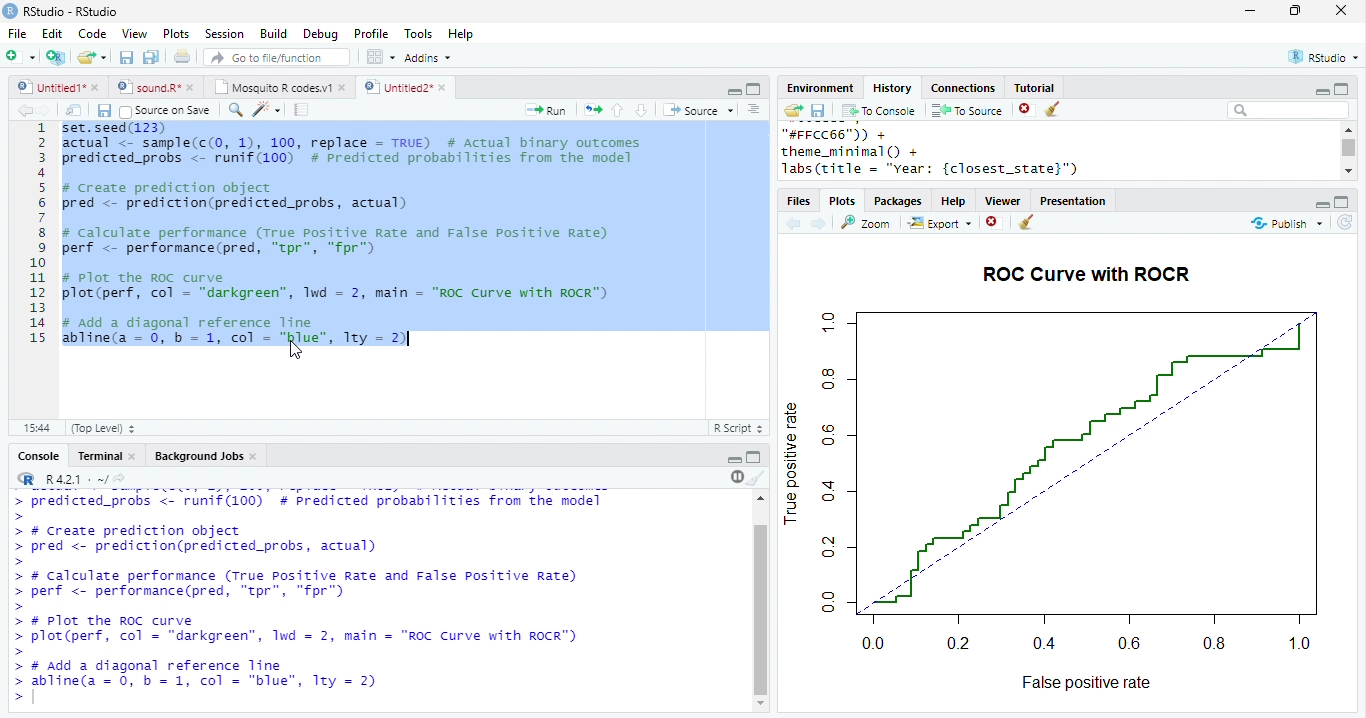 This screenshot has height=718, width=1366. I want to click on Top Level, so click(105, 428).